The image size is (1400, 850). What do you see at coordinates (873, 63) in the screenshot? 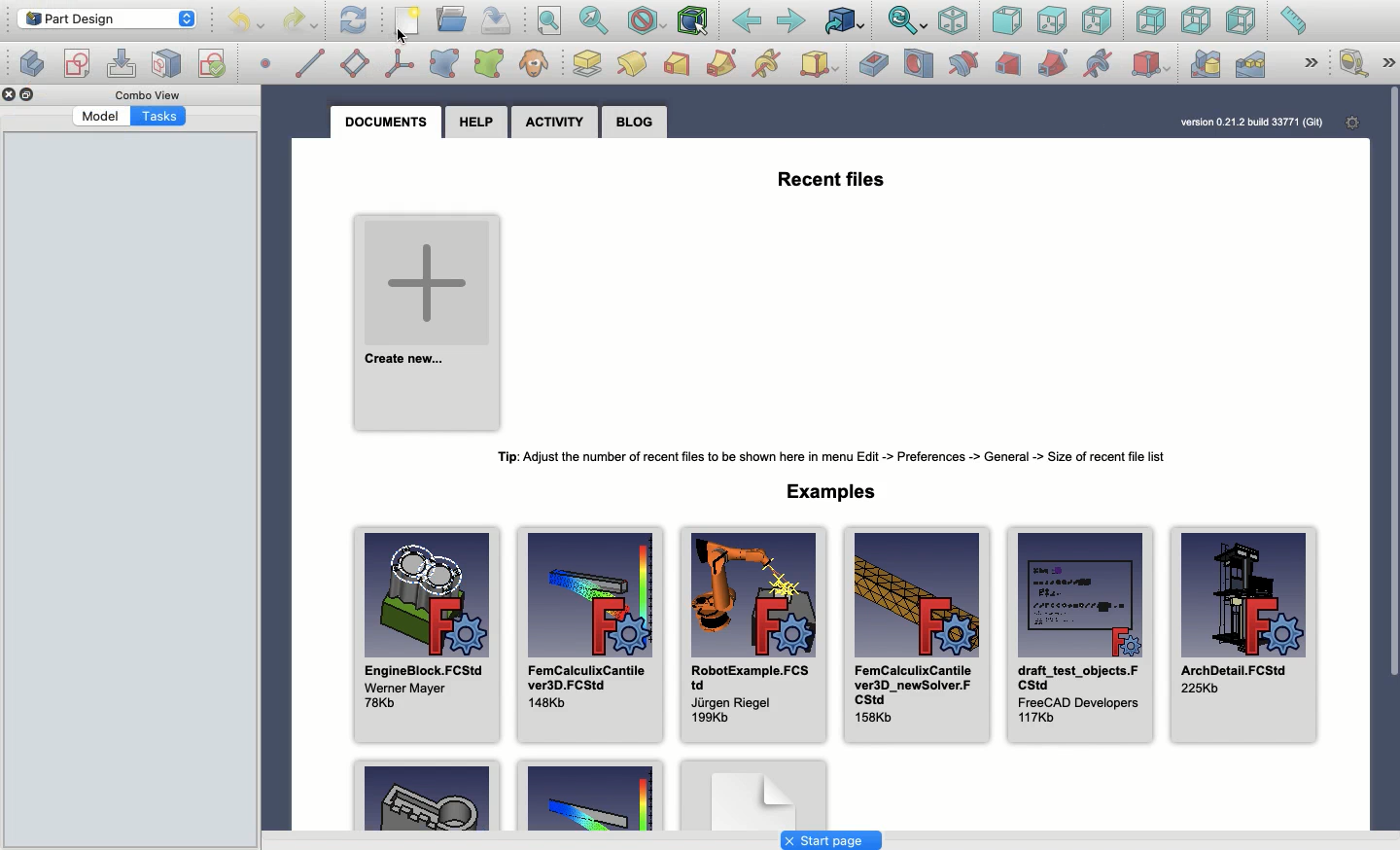
I see `Pocket` at bounding box center [873, 63].